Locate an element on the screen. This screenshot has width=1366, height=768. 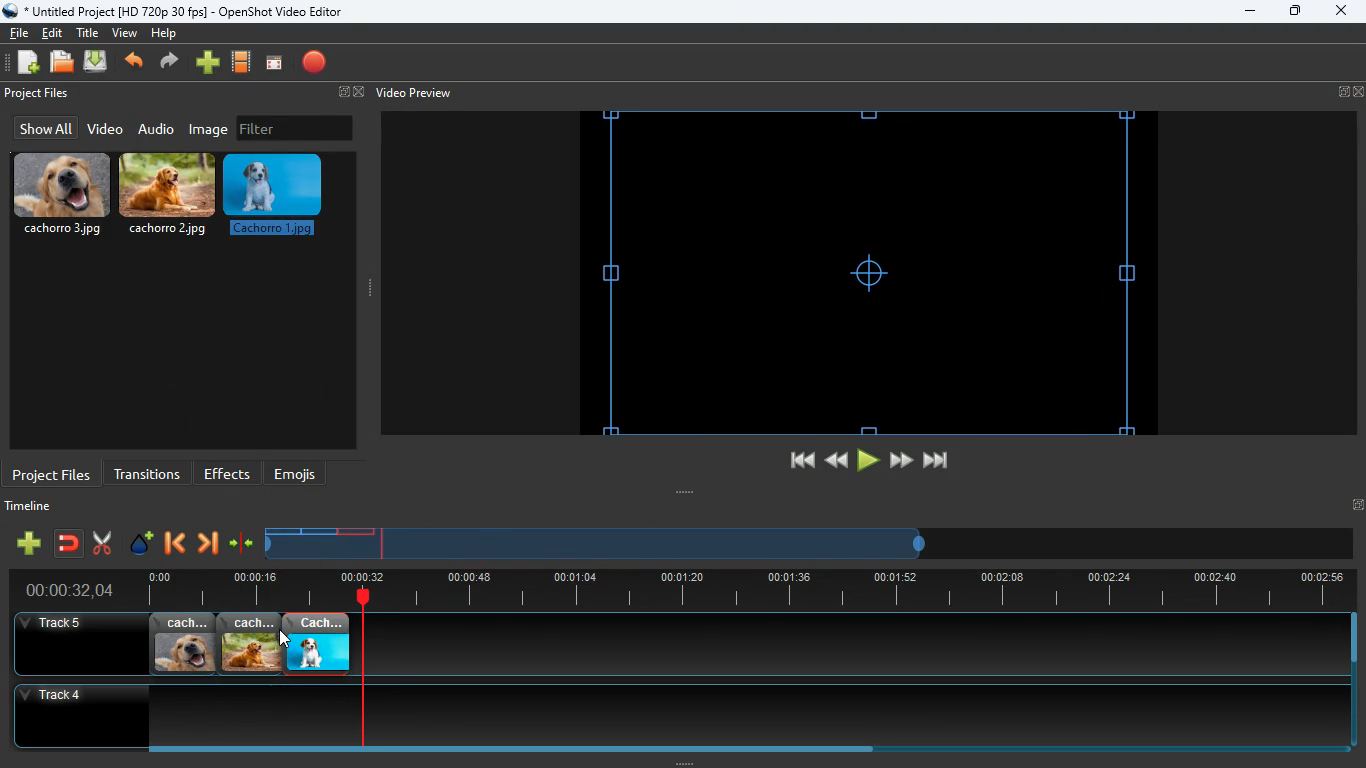
forward is located at coordinates (172, 63).